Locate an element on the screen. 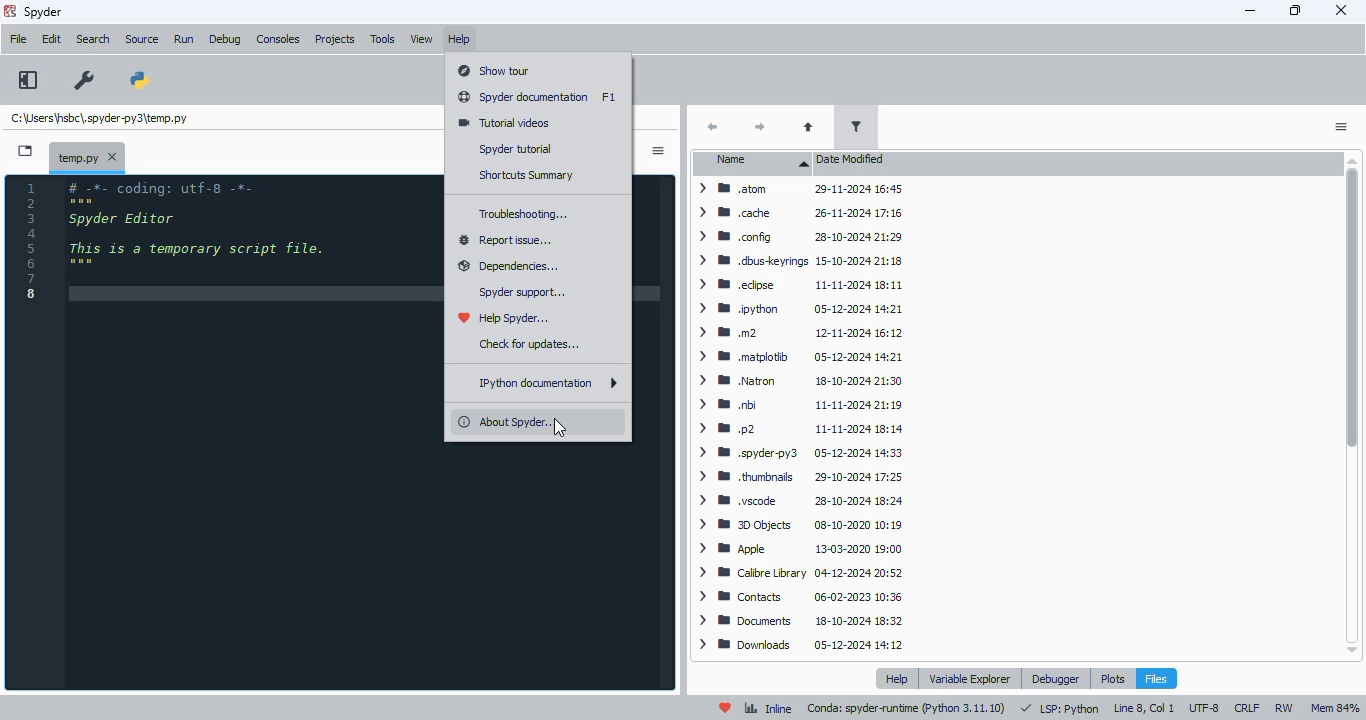  help is located at coordinates (458, 40).